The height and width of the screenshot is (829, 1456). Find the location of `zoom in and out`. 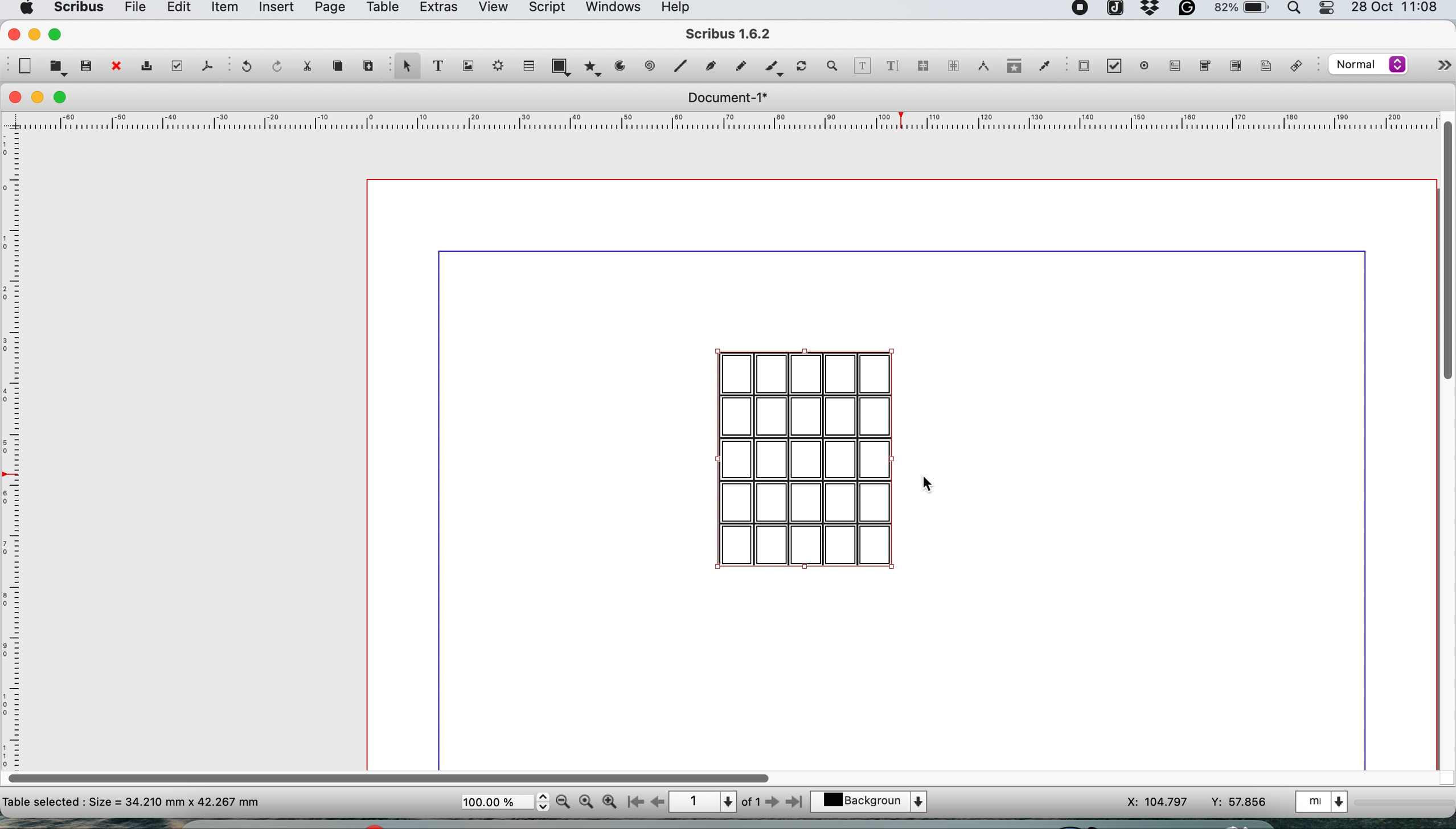

zoom in and out is located at coordinates (833, 66).